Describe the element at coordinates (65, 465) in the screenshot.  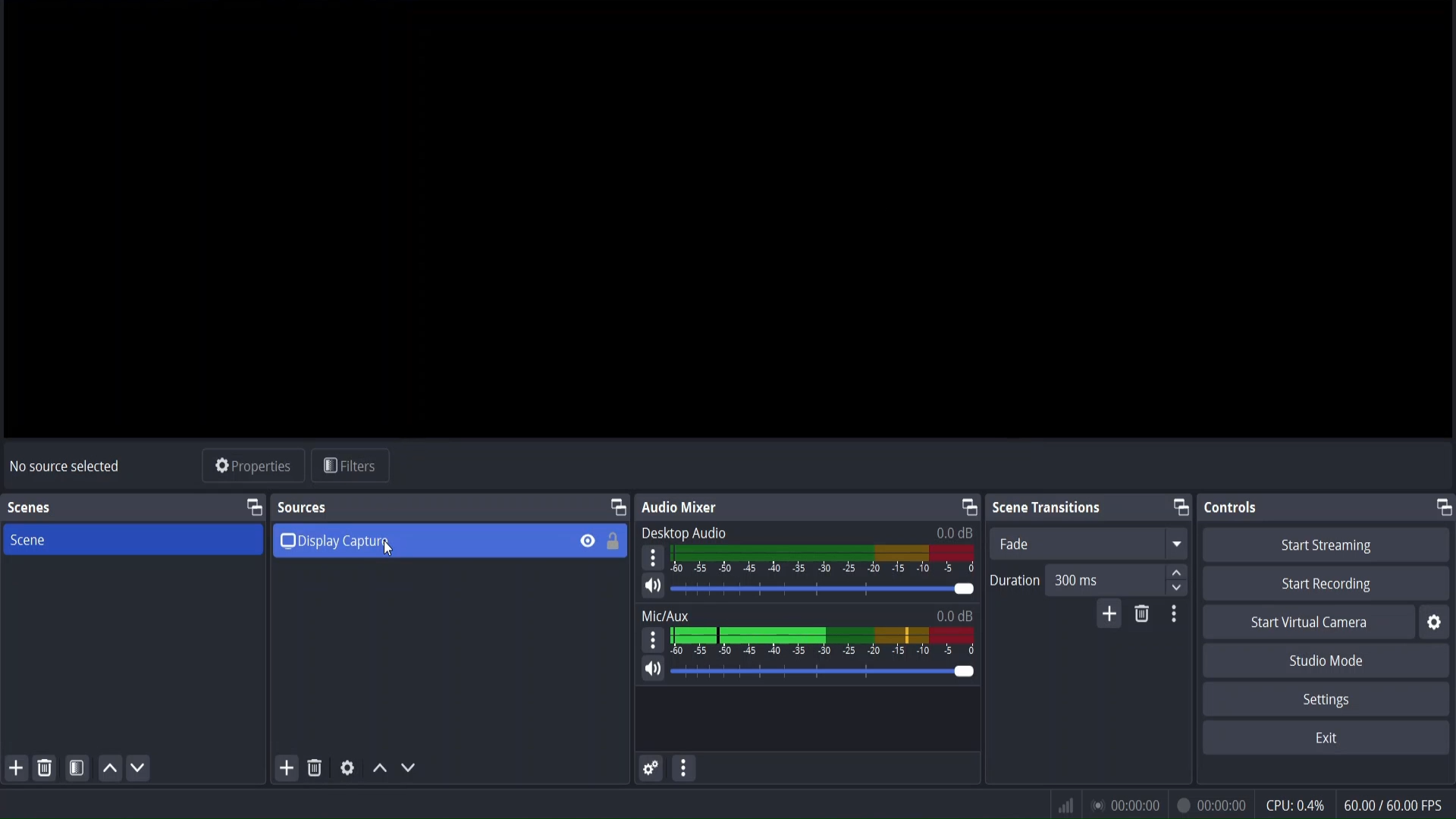
I see `no source selected` at that location.